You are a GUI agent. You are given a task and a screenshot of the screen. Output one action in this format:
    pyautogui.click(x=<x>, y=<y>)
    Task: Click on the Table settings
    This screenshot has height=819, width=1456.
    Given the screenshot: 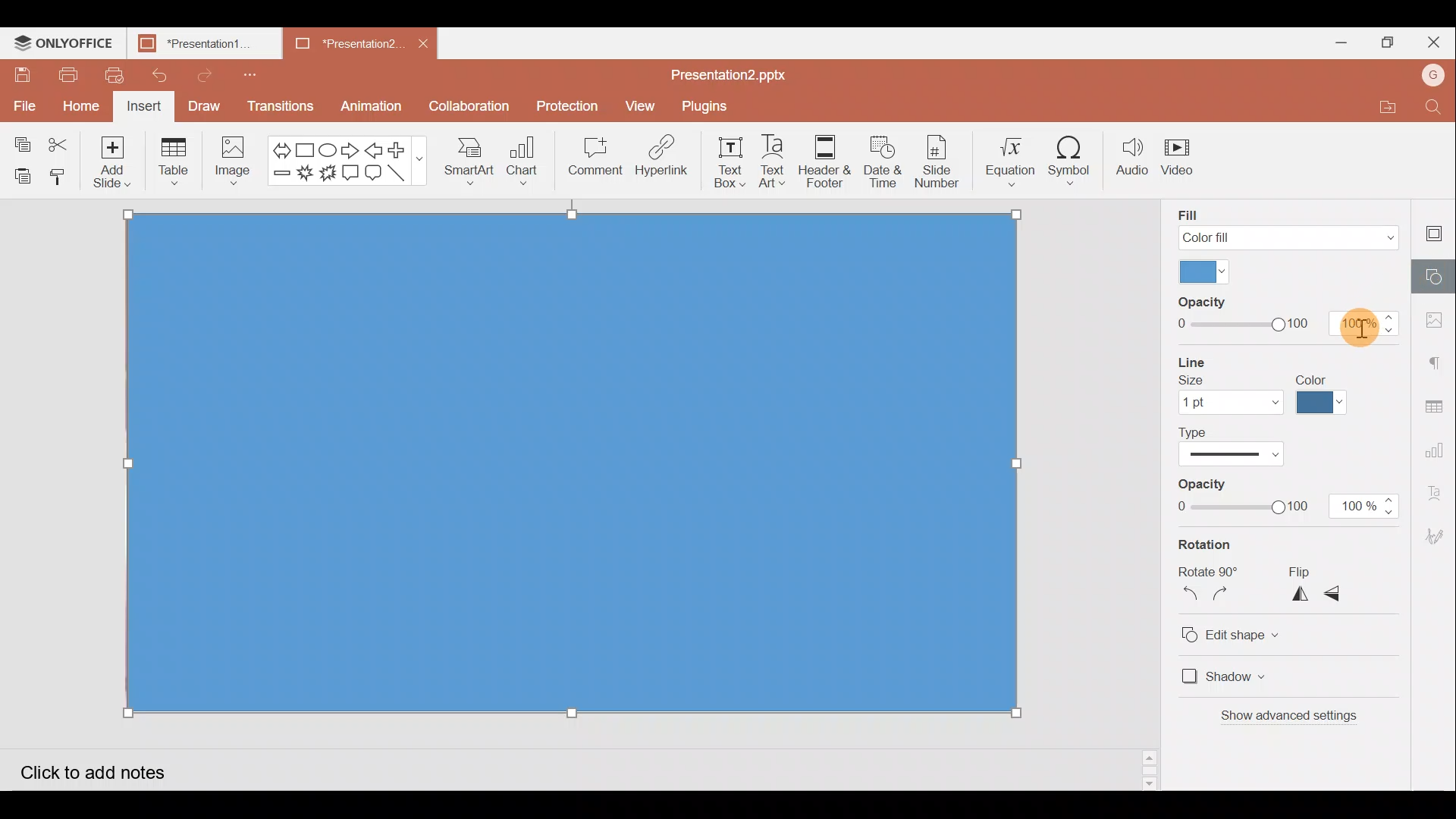 What is the action you would take?
    pyautogui.click(x=1438, y=398)
    